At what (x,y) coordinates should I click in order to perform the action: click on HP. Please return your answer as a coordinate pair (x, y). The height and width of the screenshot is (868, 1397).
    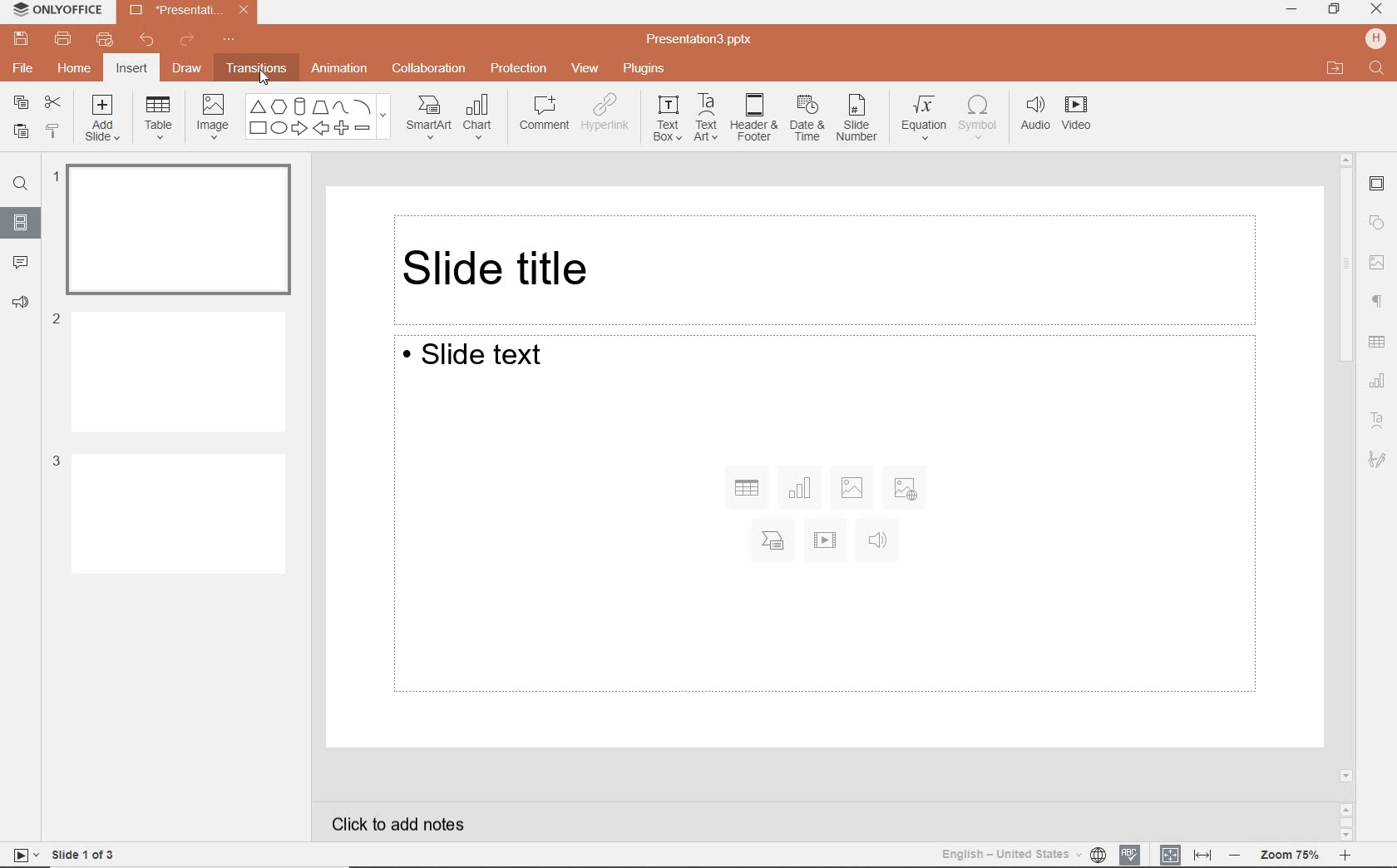
    Looking at the image, I should click on (1374, 39).